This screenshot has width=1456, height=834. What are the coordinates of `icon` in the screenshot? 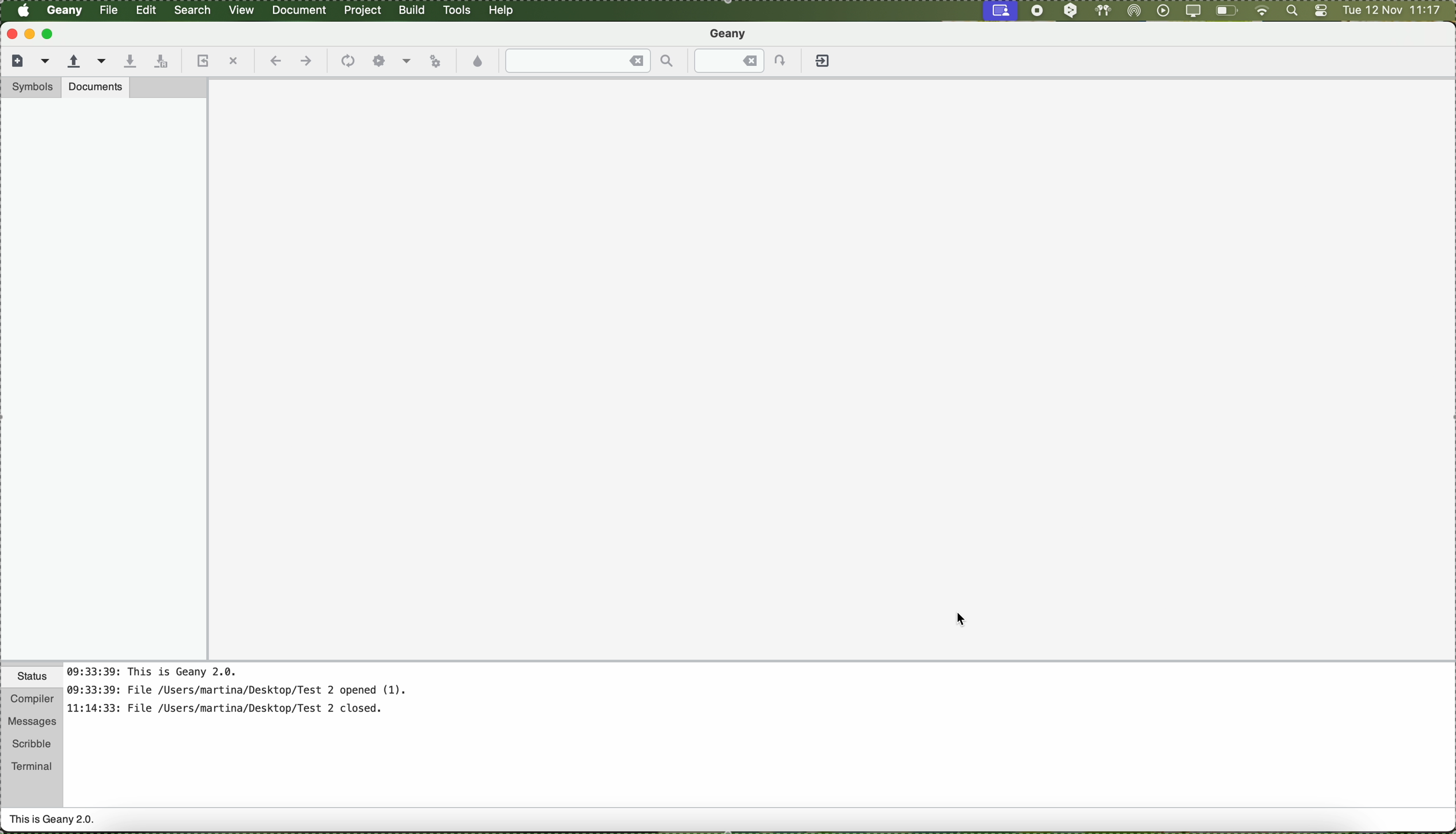 It's located at (407, 62).